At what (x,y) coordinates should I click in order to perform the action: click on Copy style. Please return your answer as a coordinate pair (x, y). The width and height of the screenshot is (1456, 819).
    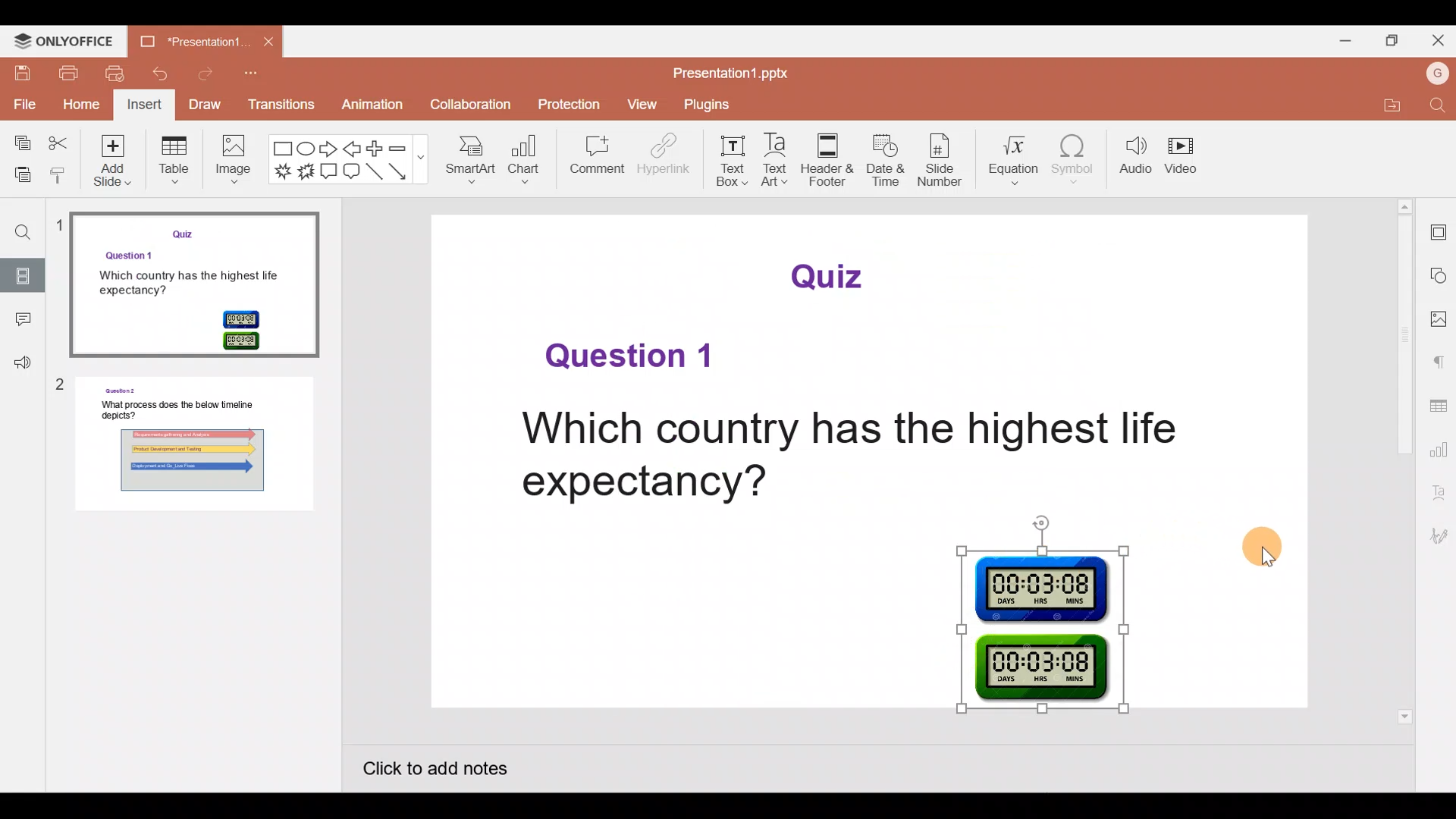
    Looking at the image, I should click on (59, 171).